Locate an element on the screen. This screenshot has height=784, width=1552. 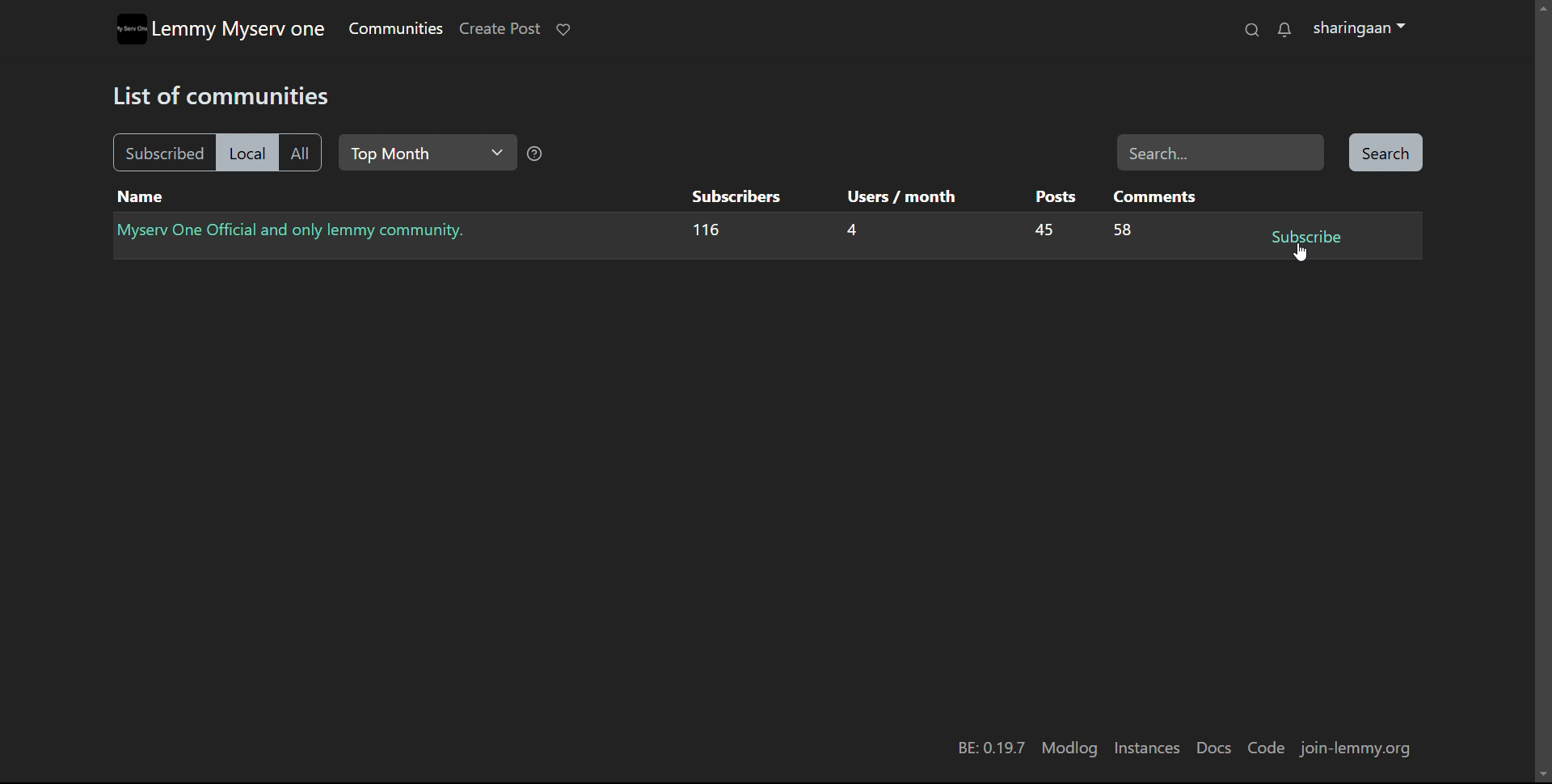
create post is located at coordinates (499, 29).